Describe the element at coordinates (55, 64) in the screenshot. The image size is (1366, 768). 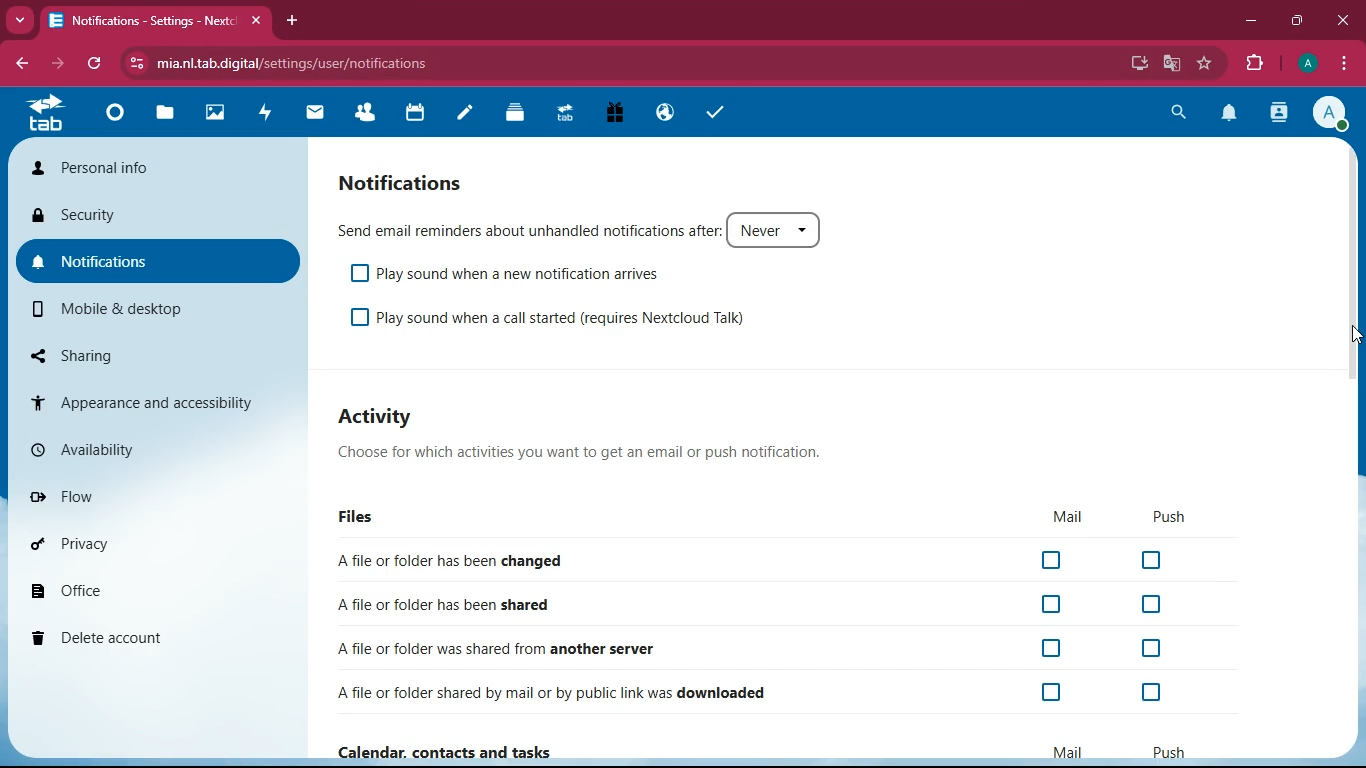
I see `forward` at that location.